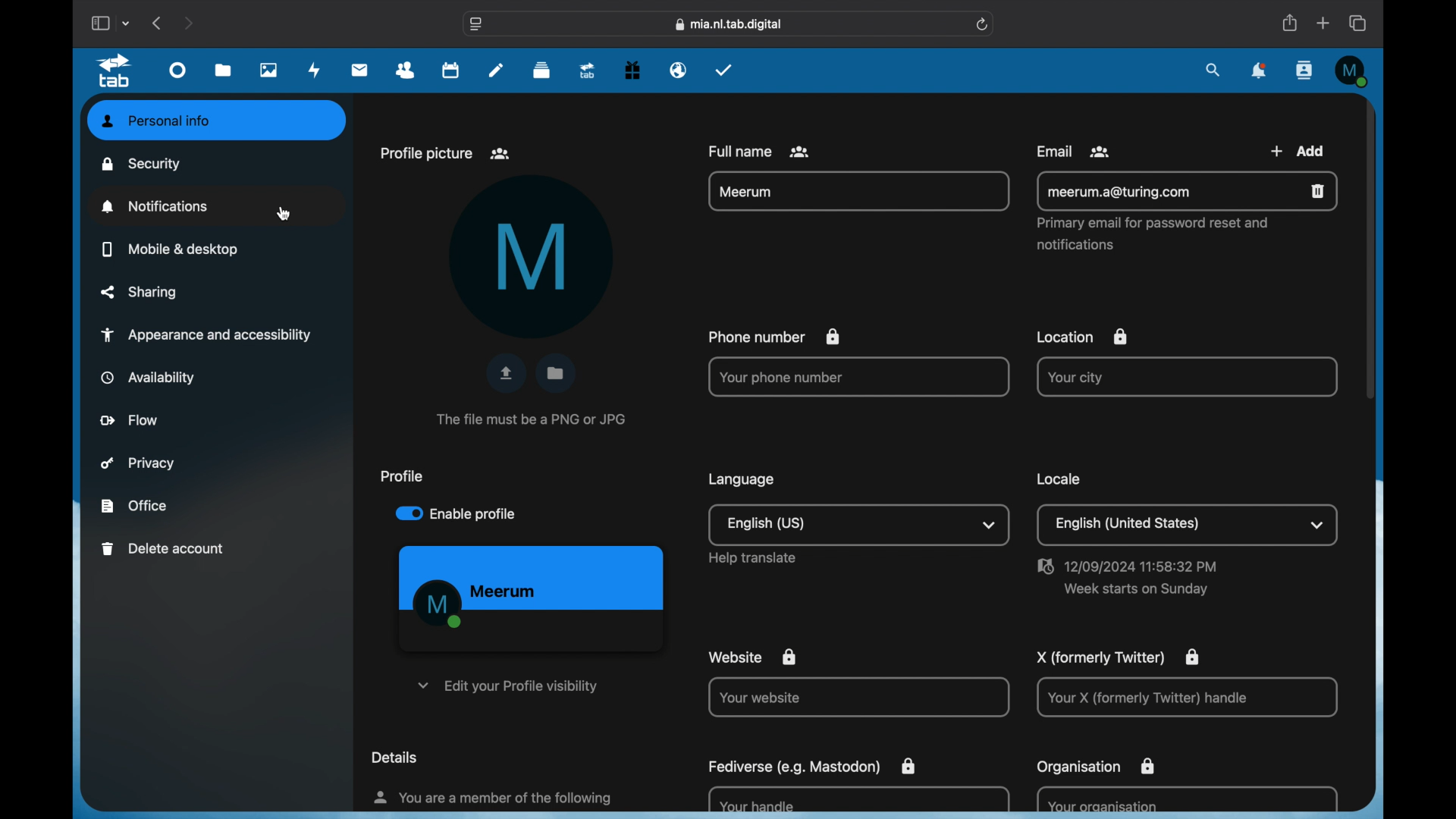 The height and width of the screenshot is (819, 1456). What do you see at coordinates (679, 71) in the screenshot?
I see `emails` at bounding box center [679, 71].